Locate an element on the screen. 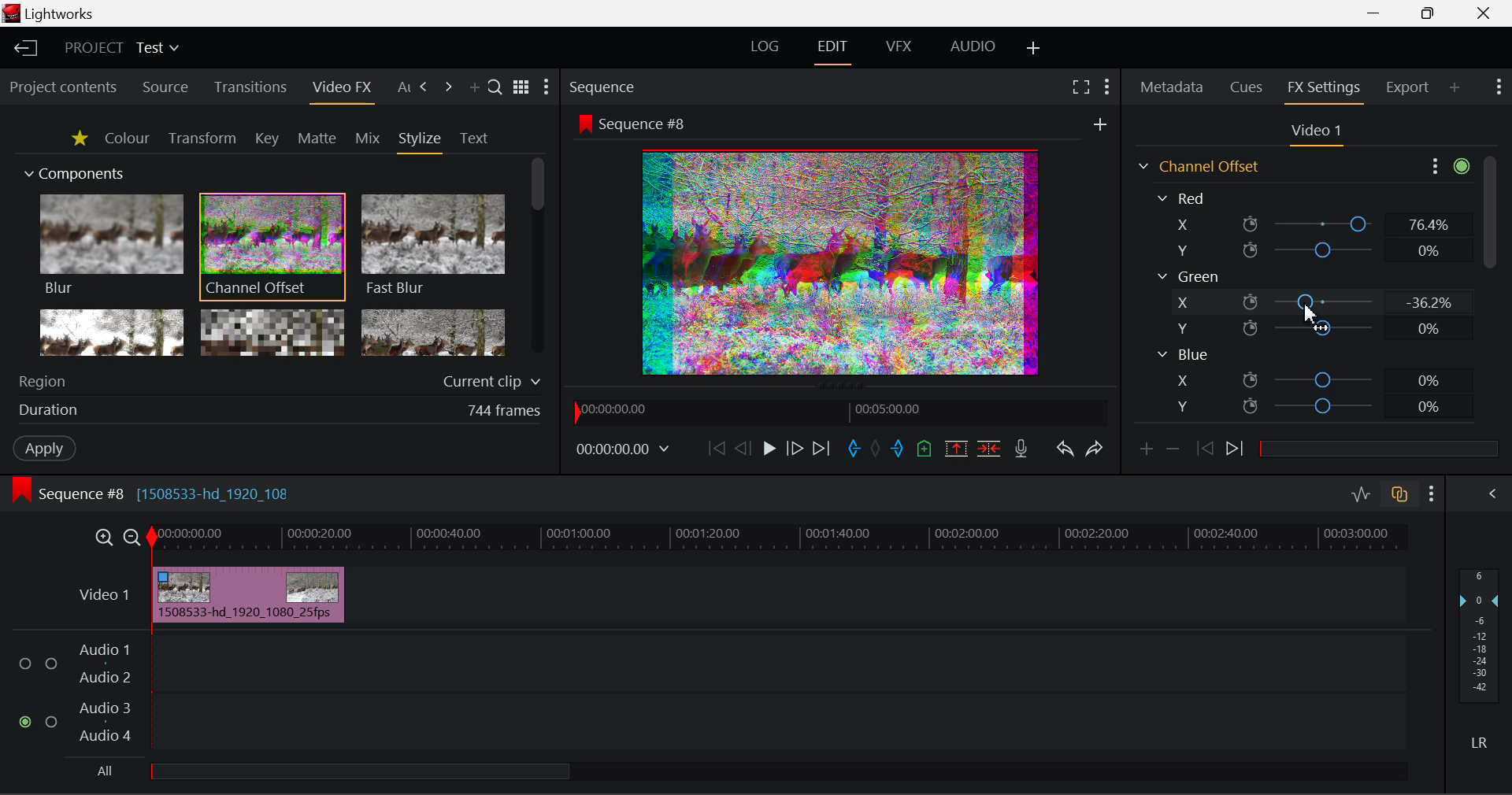 This screenshot has height=795, width=1512. Full Screen is located at coordinates (1082, 89).